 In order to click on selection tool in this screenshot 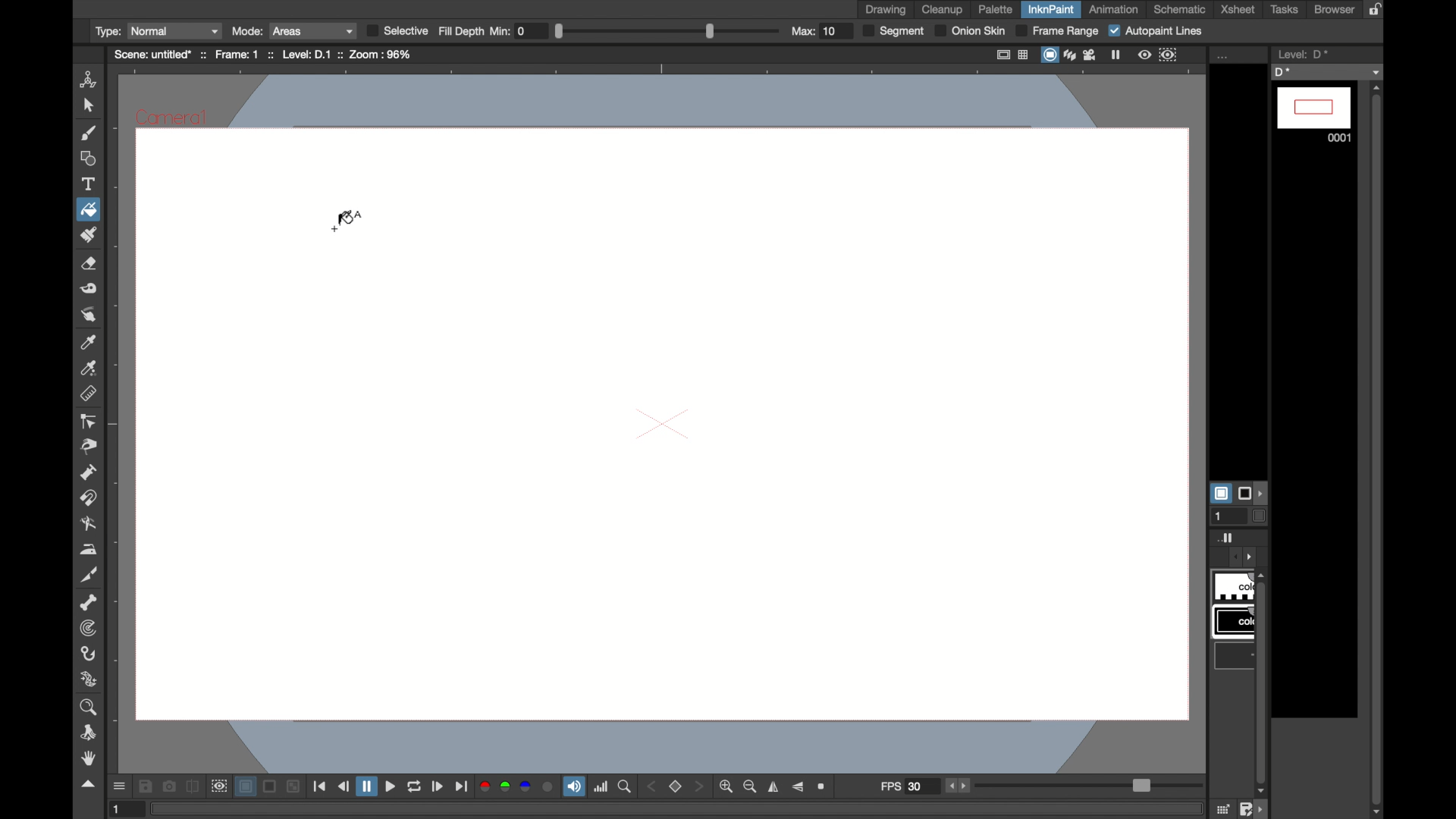, I will do `click(86, 106)`.